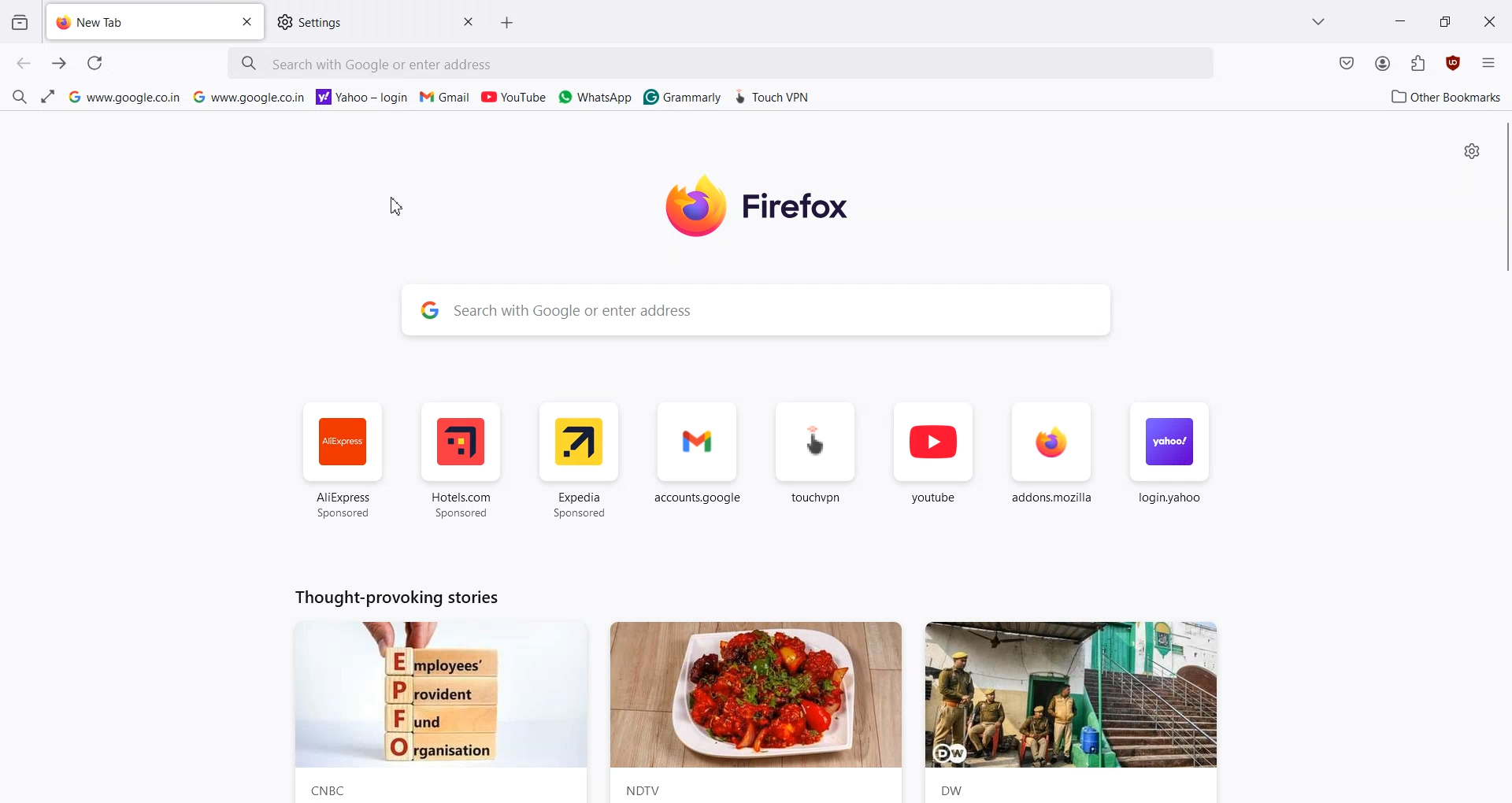 This screenshot has height=803, width=1512. Describe the element at coordinates (1347, 65) in the screenshot. I see `Save to pocket` at that location.